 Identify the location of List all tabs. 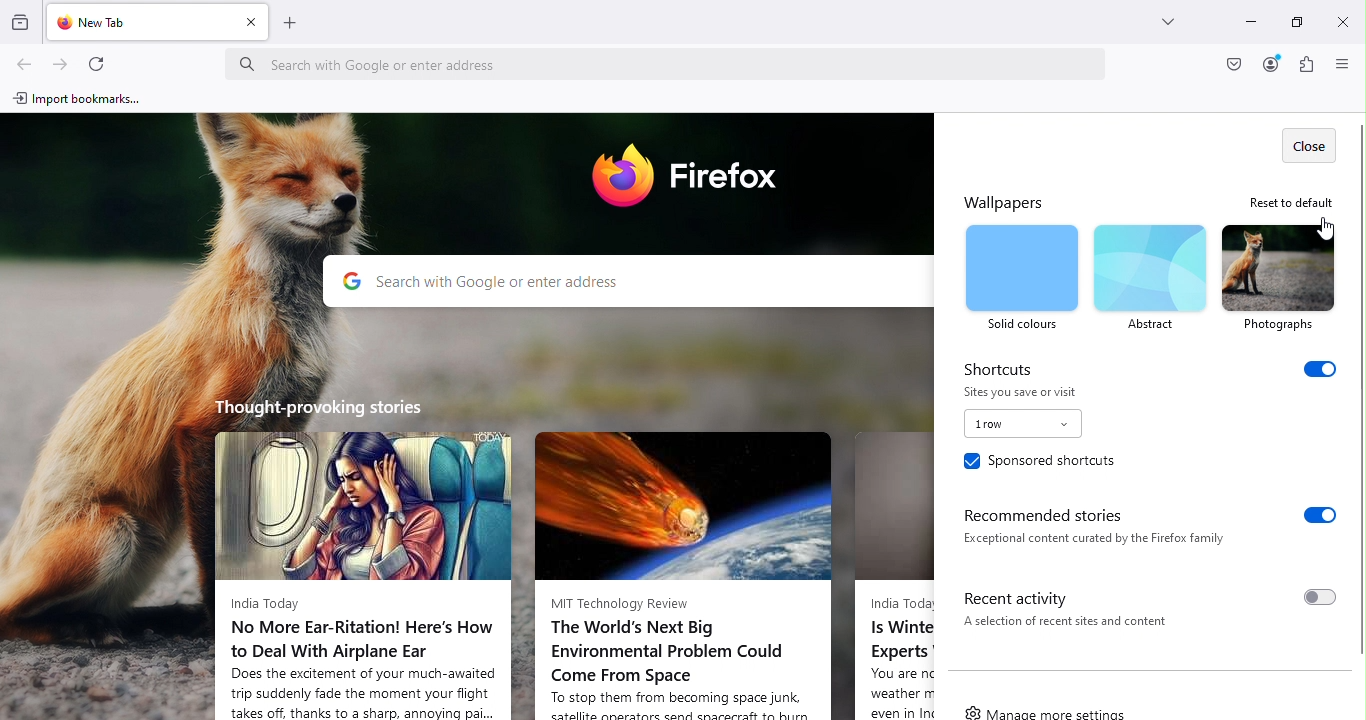
(1171, 26).